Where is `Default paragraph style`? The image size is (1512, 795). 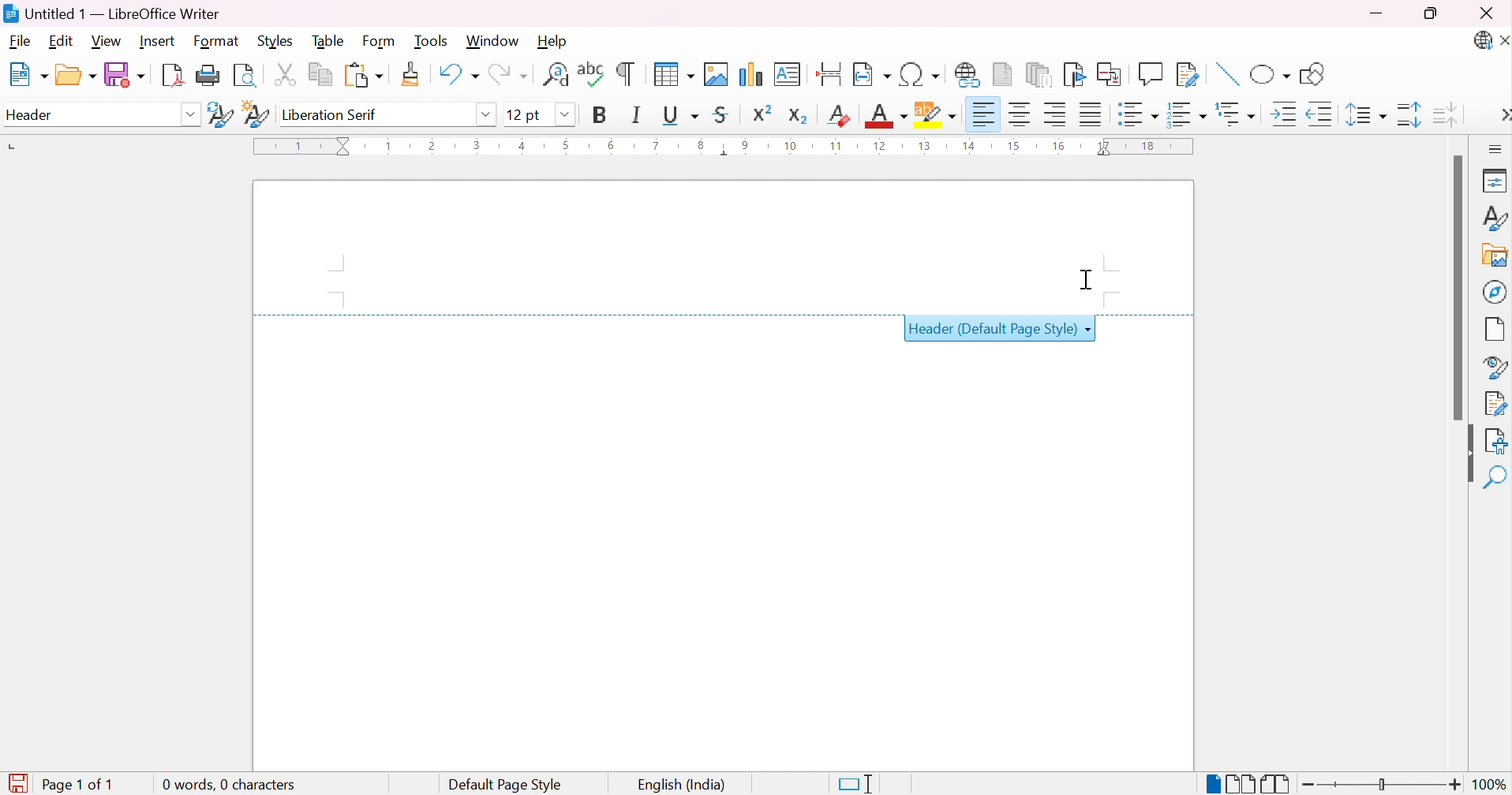
Default paragraph style is located at coordinates (82, 117).